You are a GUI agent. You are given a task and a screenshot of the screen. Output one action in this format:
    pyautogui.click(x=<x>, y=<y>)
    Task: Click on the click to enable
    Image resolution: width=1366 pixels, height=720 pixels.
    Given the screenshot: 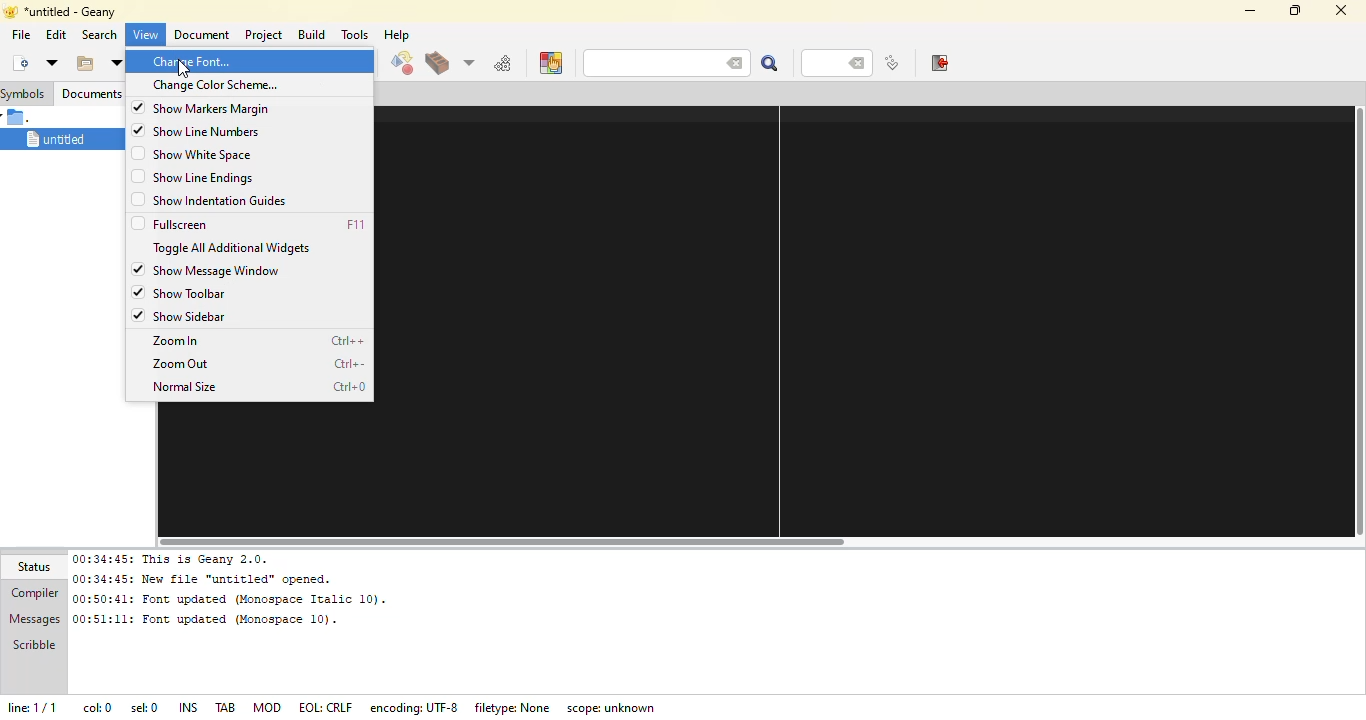 What is the action you would take?
    pyautogui.click(x=136, y=154)
    